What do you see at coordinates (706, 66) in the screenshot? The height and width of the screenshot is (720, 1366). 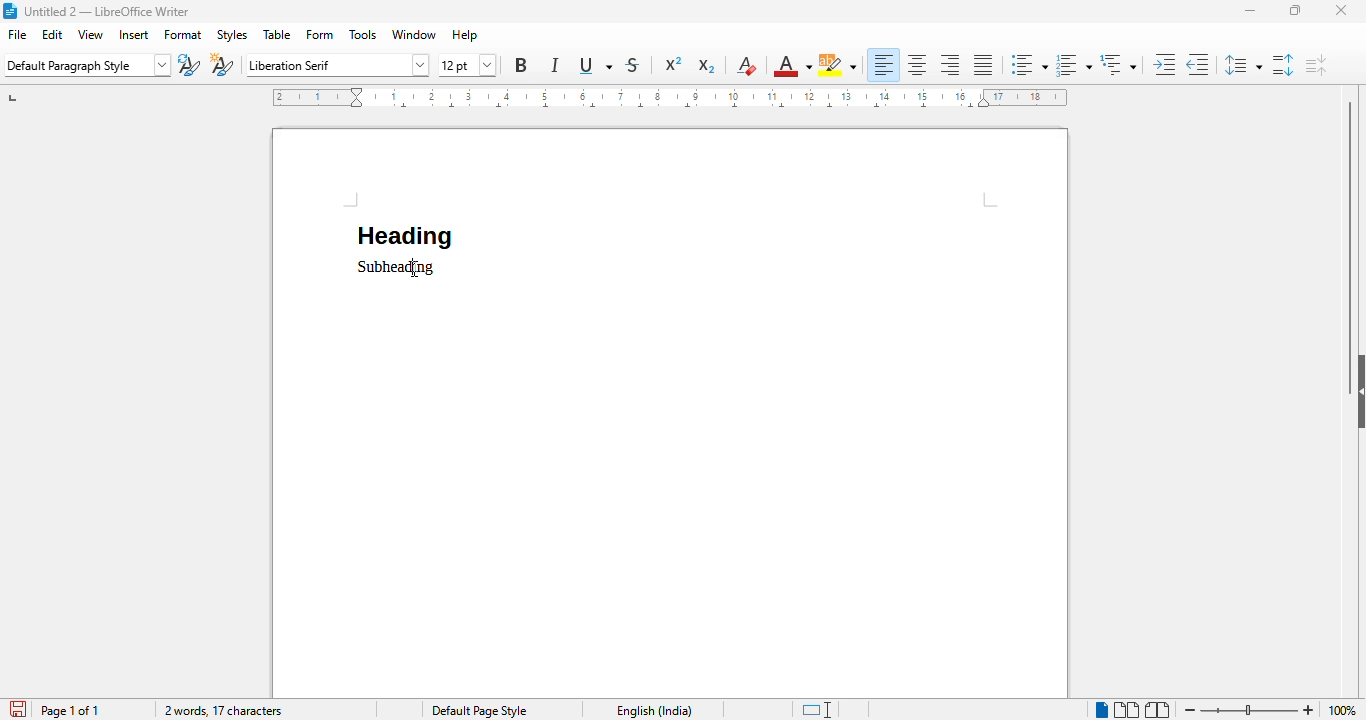 I see `subscript` at bounding box center [706, 66].